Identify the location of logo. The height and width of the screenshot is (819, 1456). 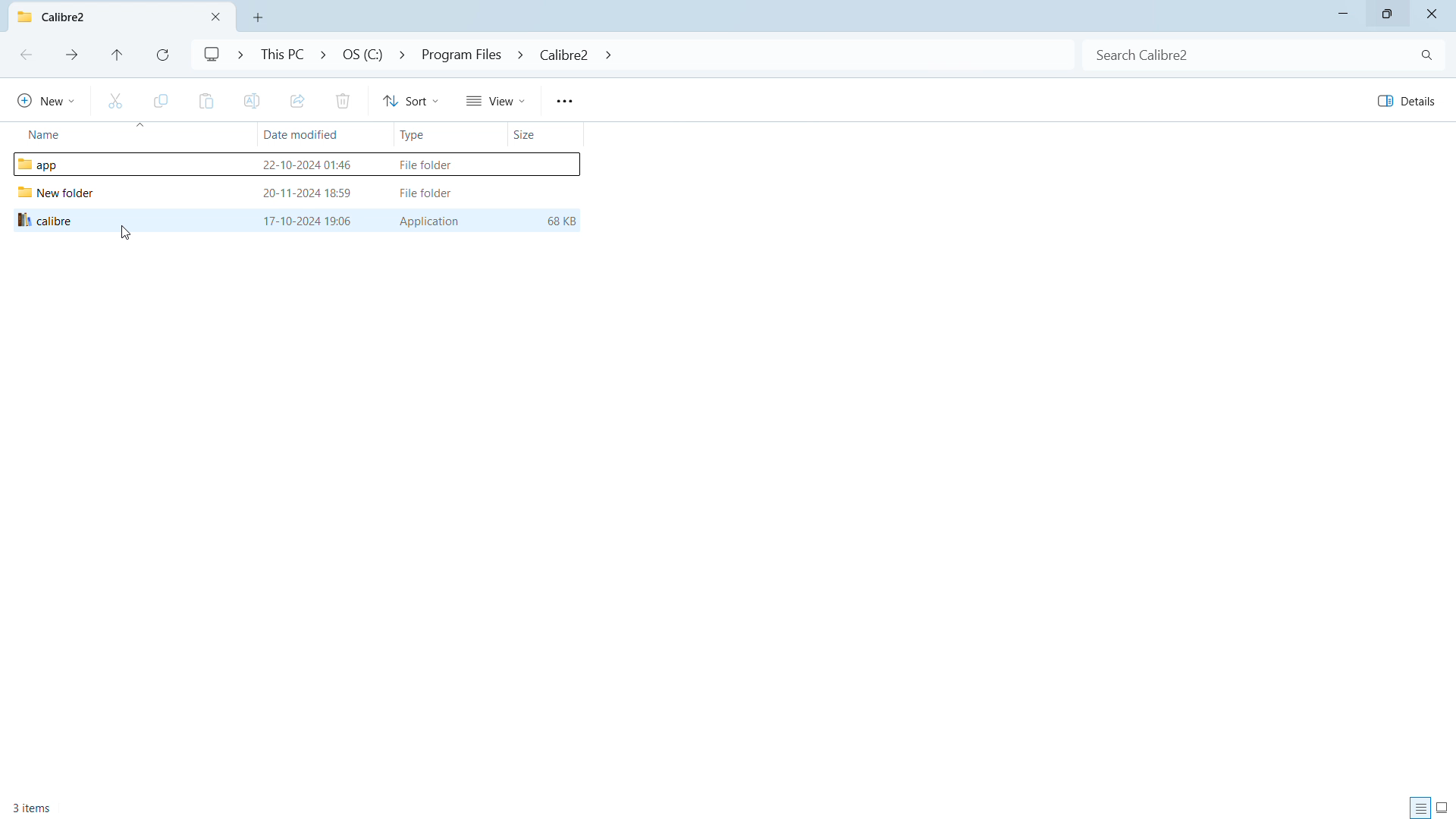
(24, 16).